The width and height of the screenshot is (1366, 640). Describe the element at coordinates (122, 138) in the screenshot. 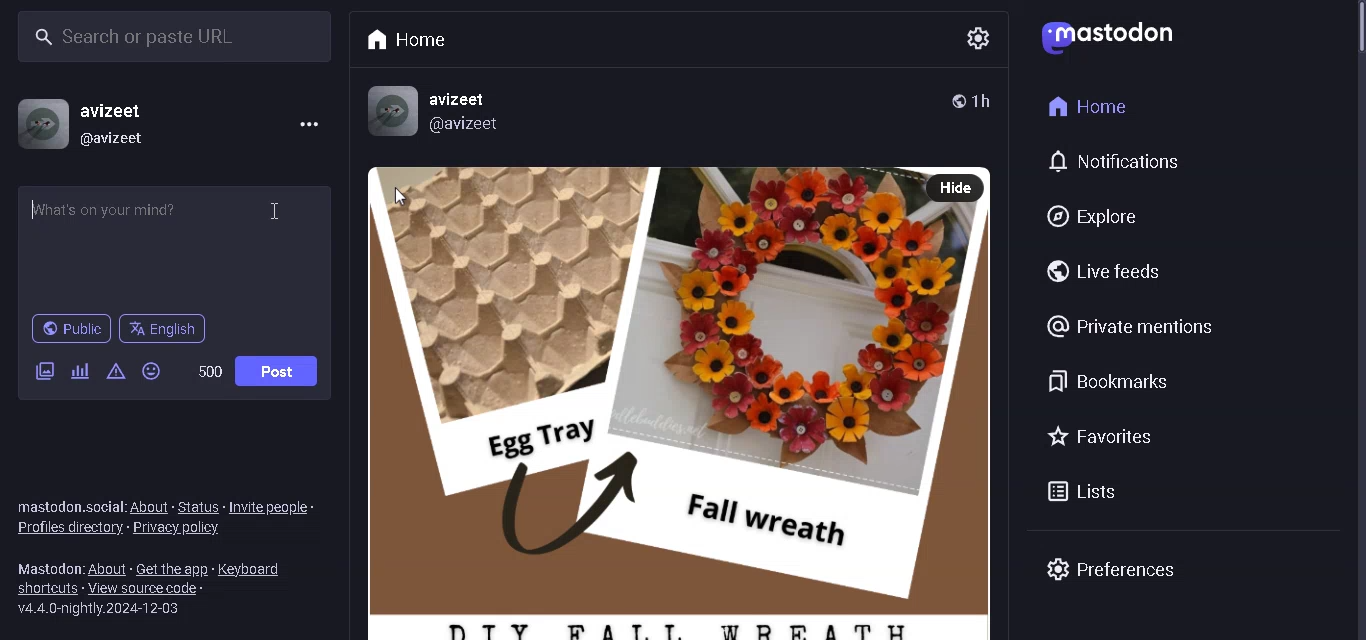

I see `@USERNAME` at that location.